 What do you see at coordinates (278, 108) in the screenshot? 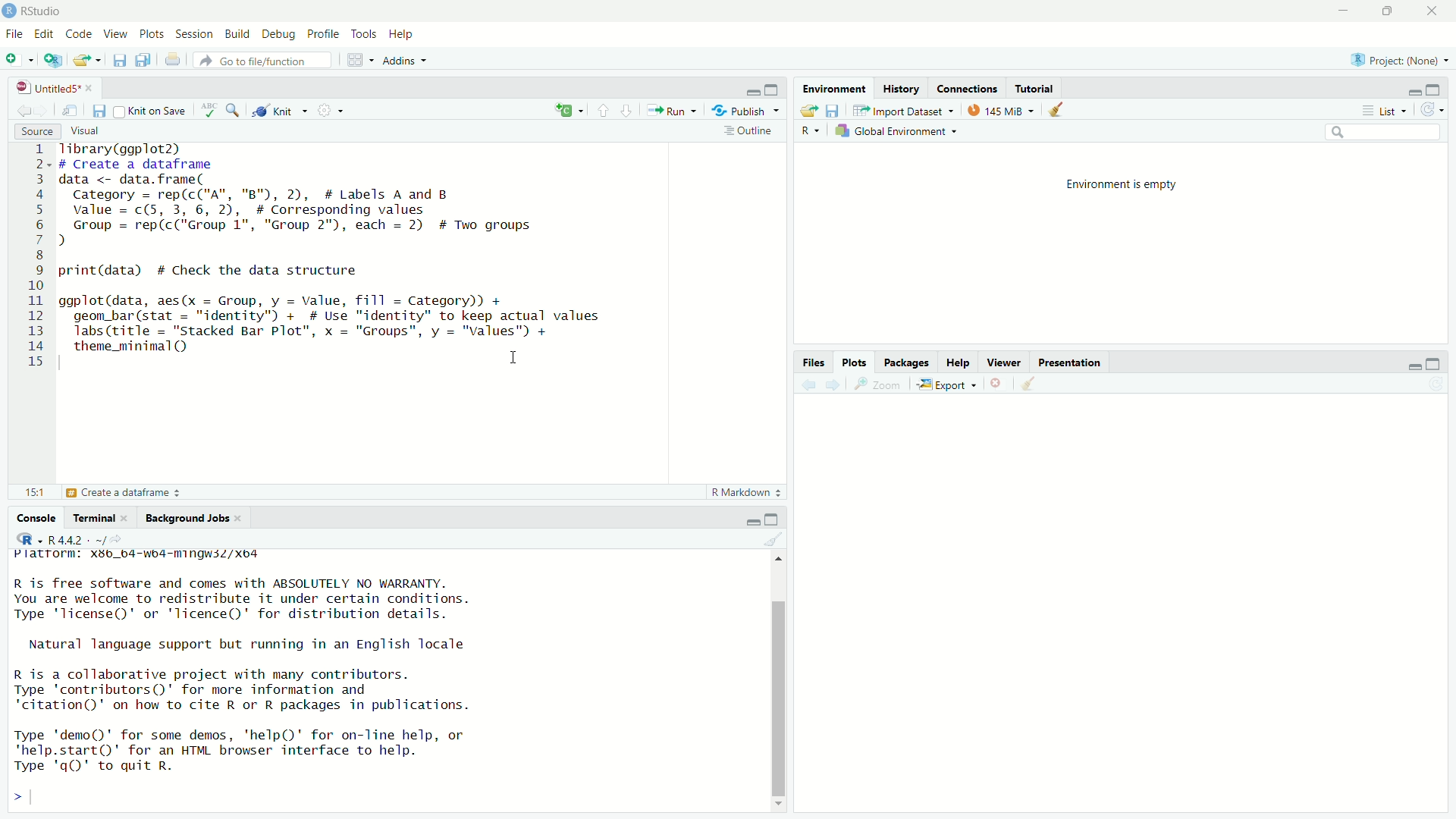
I see `Knit` at bounding box center [278, 108].